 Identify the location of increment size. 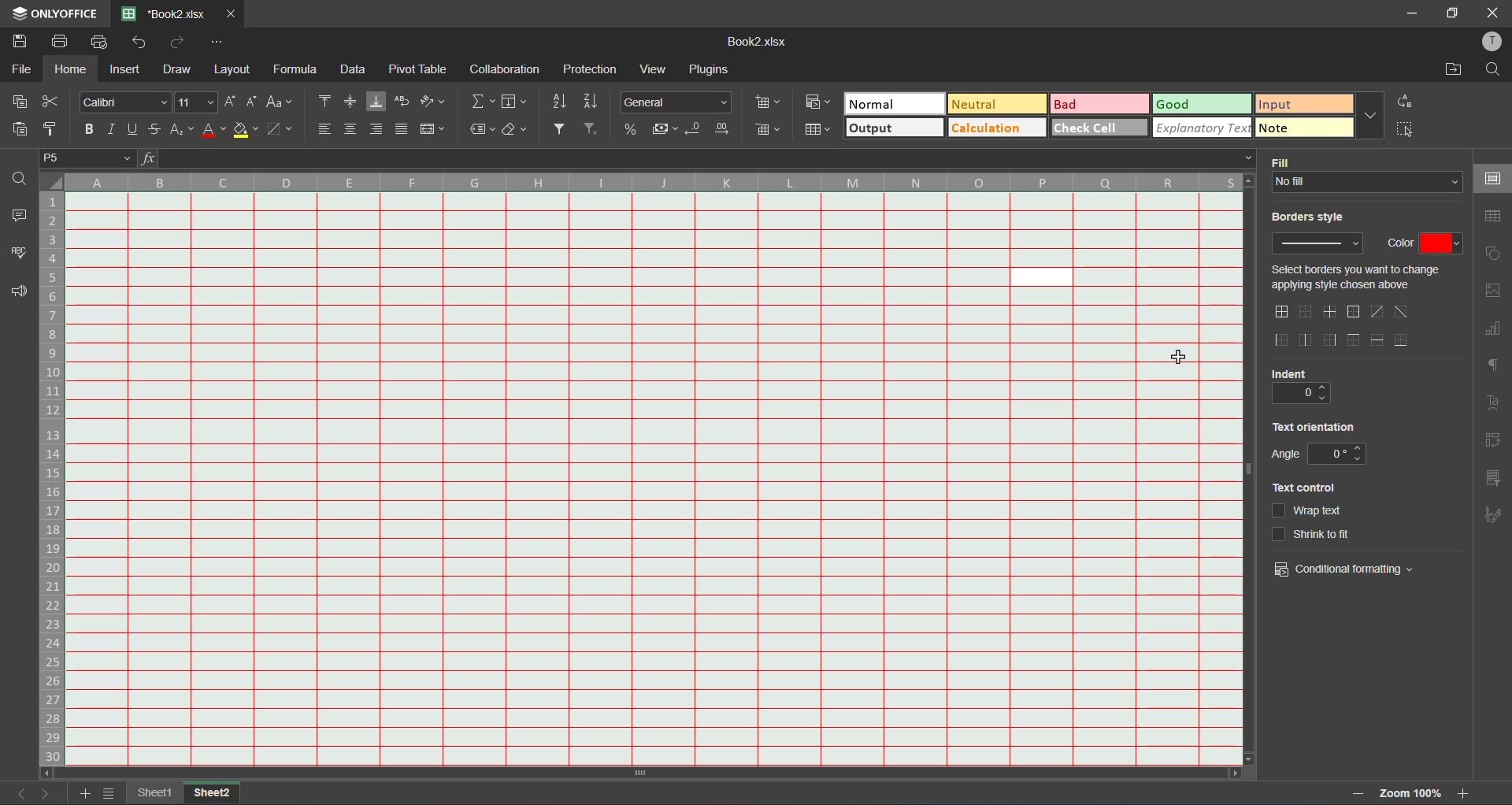
(232, 103).